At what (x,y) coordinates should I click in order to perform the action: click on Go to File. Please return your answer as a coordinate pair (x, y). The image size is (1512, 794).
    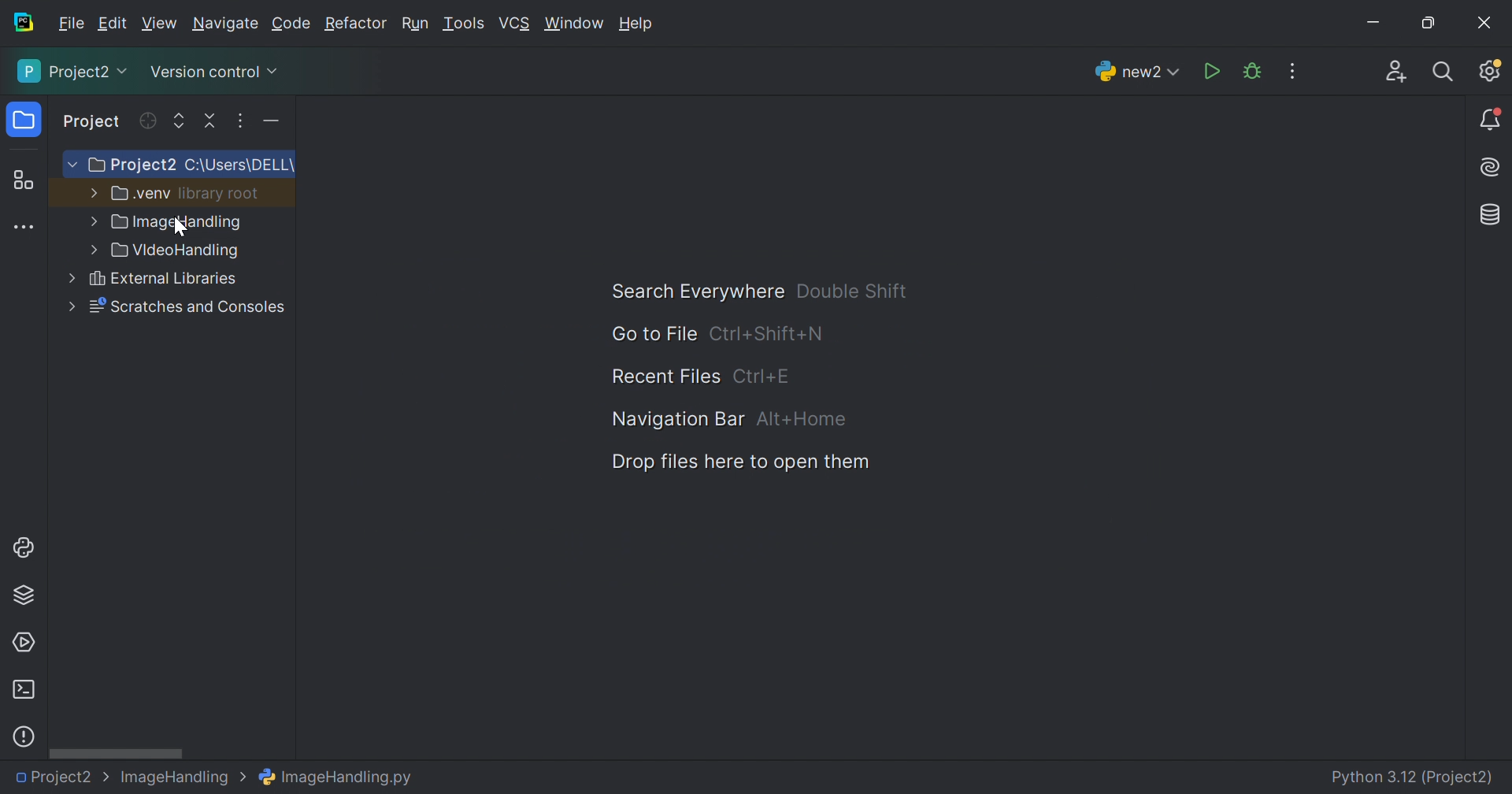
    Looking at the image, I should click on (653, 334).